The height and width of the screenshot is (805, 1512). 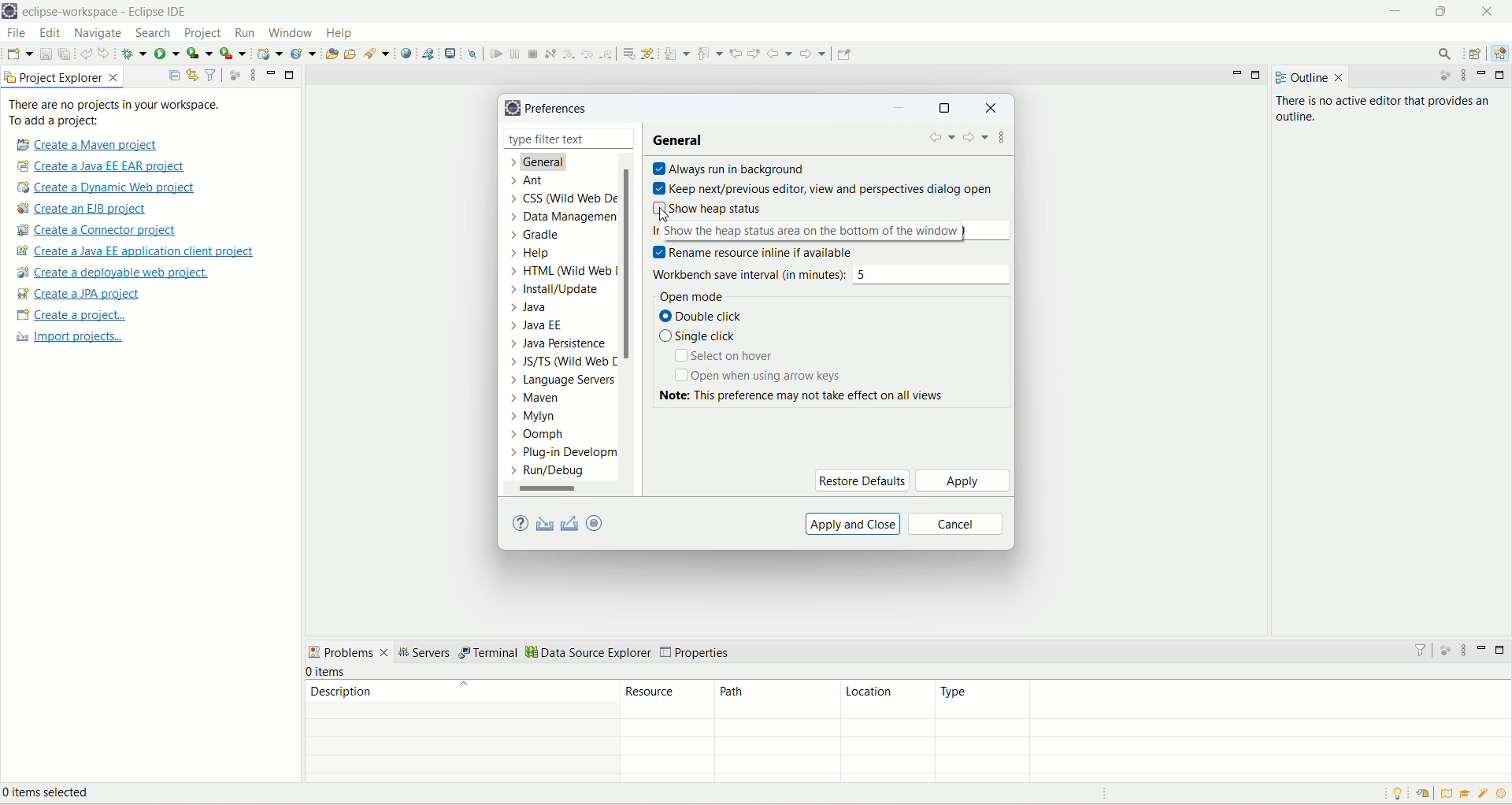 I want to click on next annotation, so click(x=676, y=54).